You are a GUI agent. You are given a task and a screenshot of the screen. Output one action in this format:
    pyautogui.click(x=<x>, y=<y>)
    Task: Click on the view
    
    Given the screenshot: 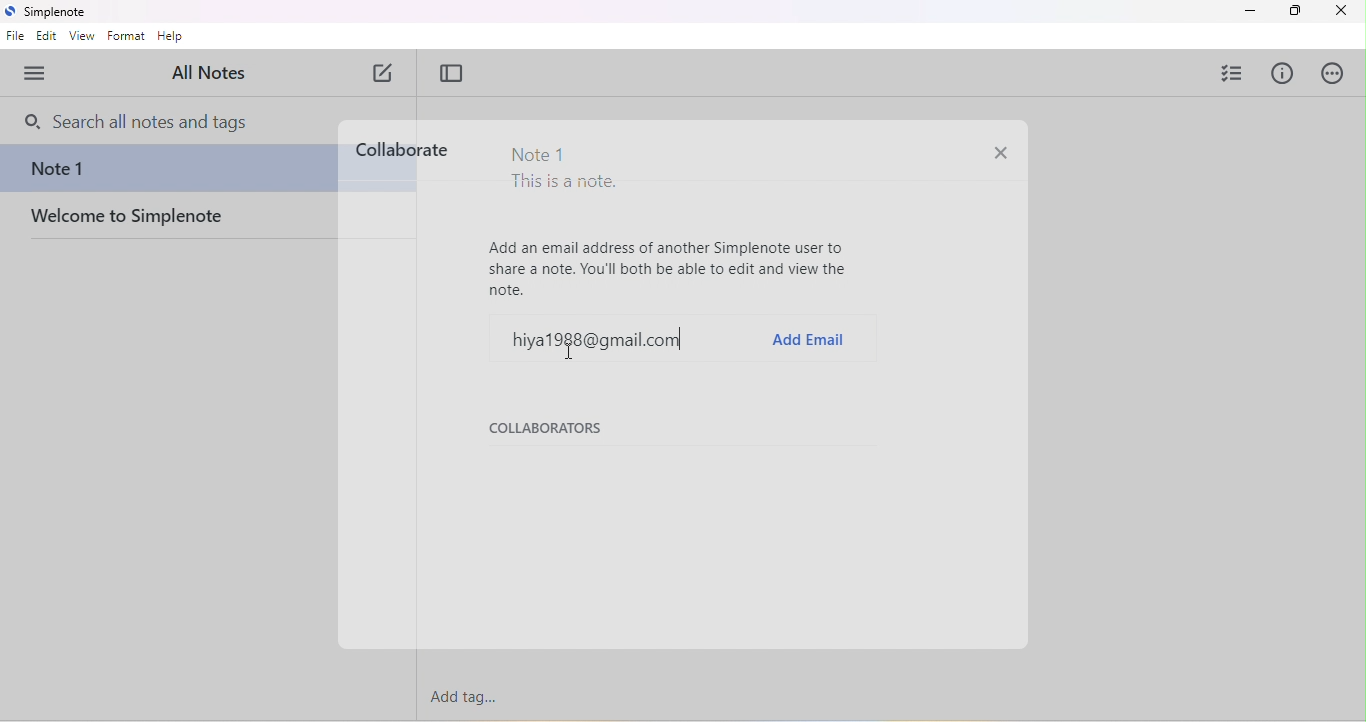 What is the action you would take?
    pyautogui.click(x=82, y=37)
    